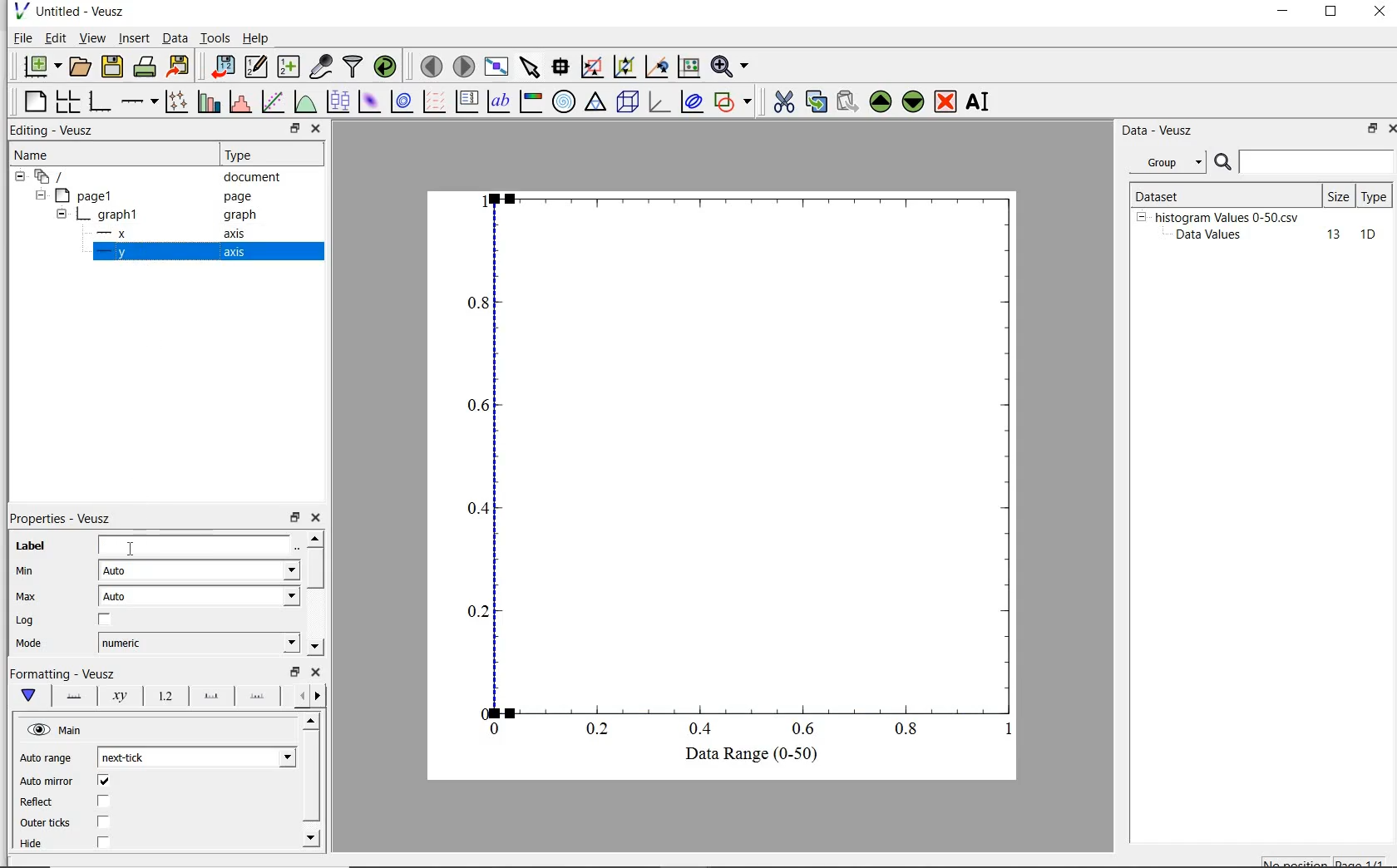  What do you see at coordinates (313, 837) in the screenshot?
I see `move down` at bounding box center [313, 837].